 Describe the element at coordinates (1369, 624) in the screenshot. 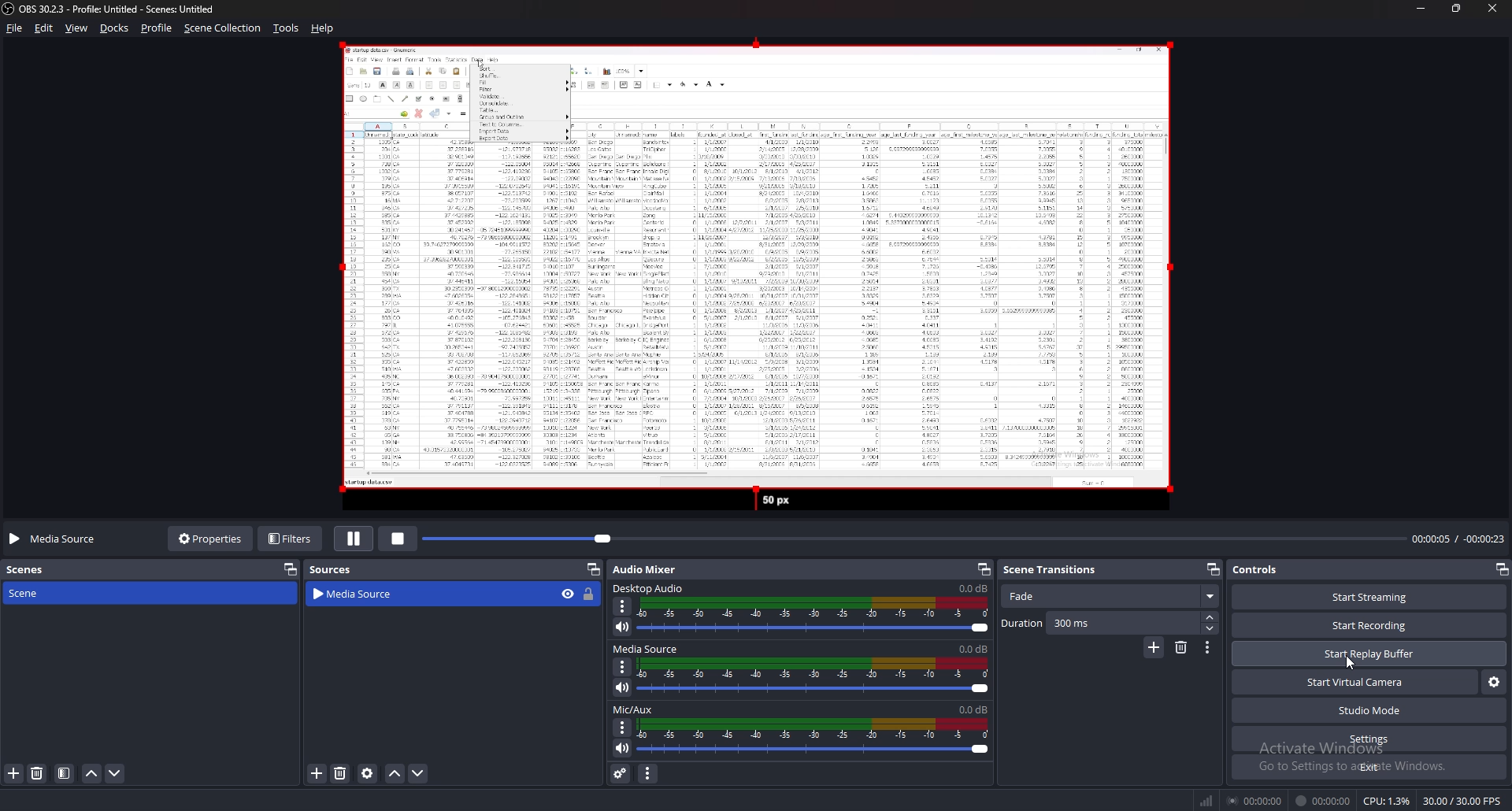

I see `start recording` at that location.